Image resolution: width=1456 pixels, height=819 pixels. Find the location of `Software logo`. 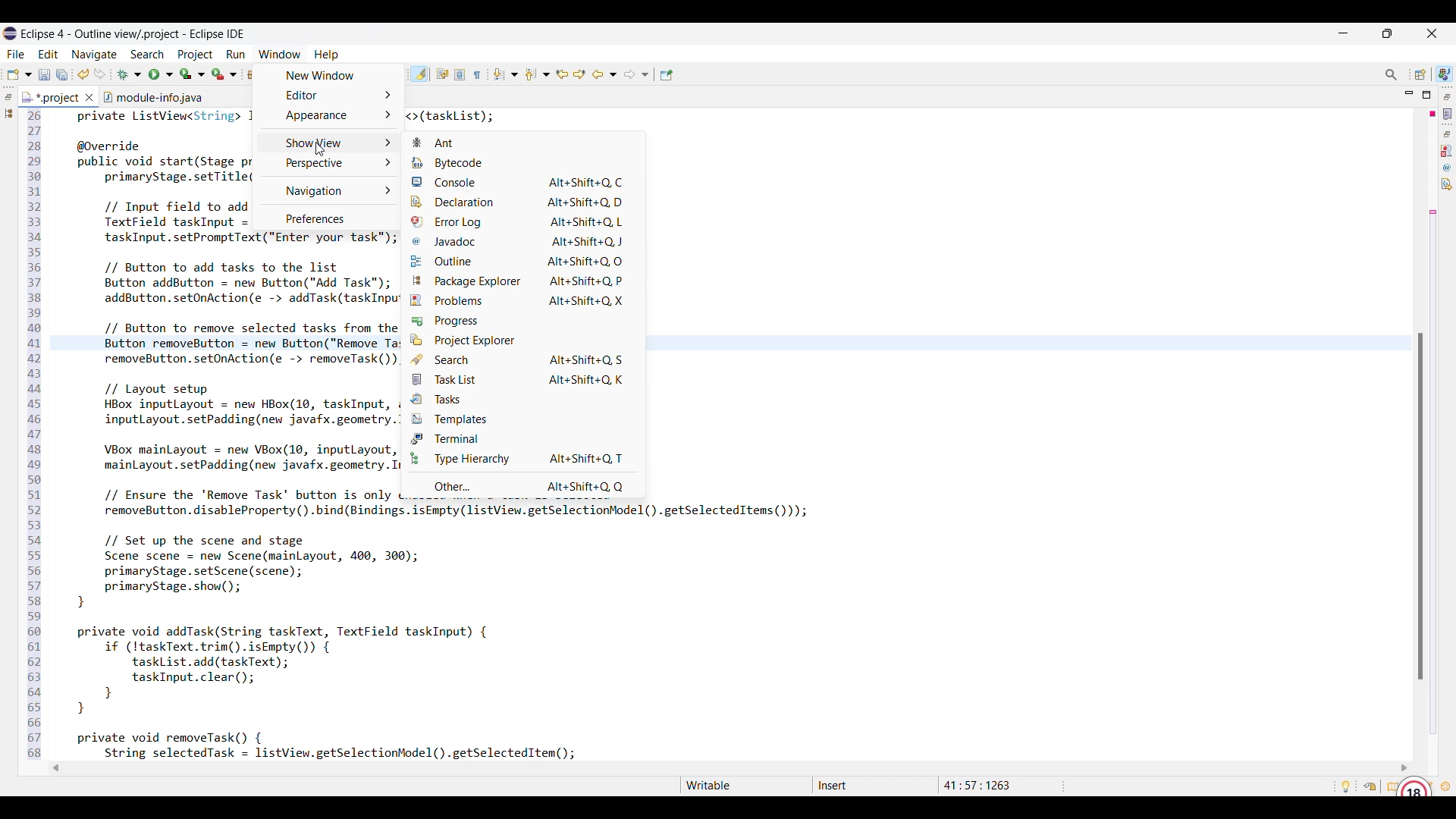

Software logo is located at coordinates (10, 33).